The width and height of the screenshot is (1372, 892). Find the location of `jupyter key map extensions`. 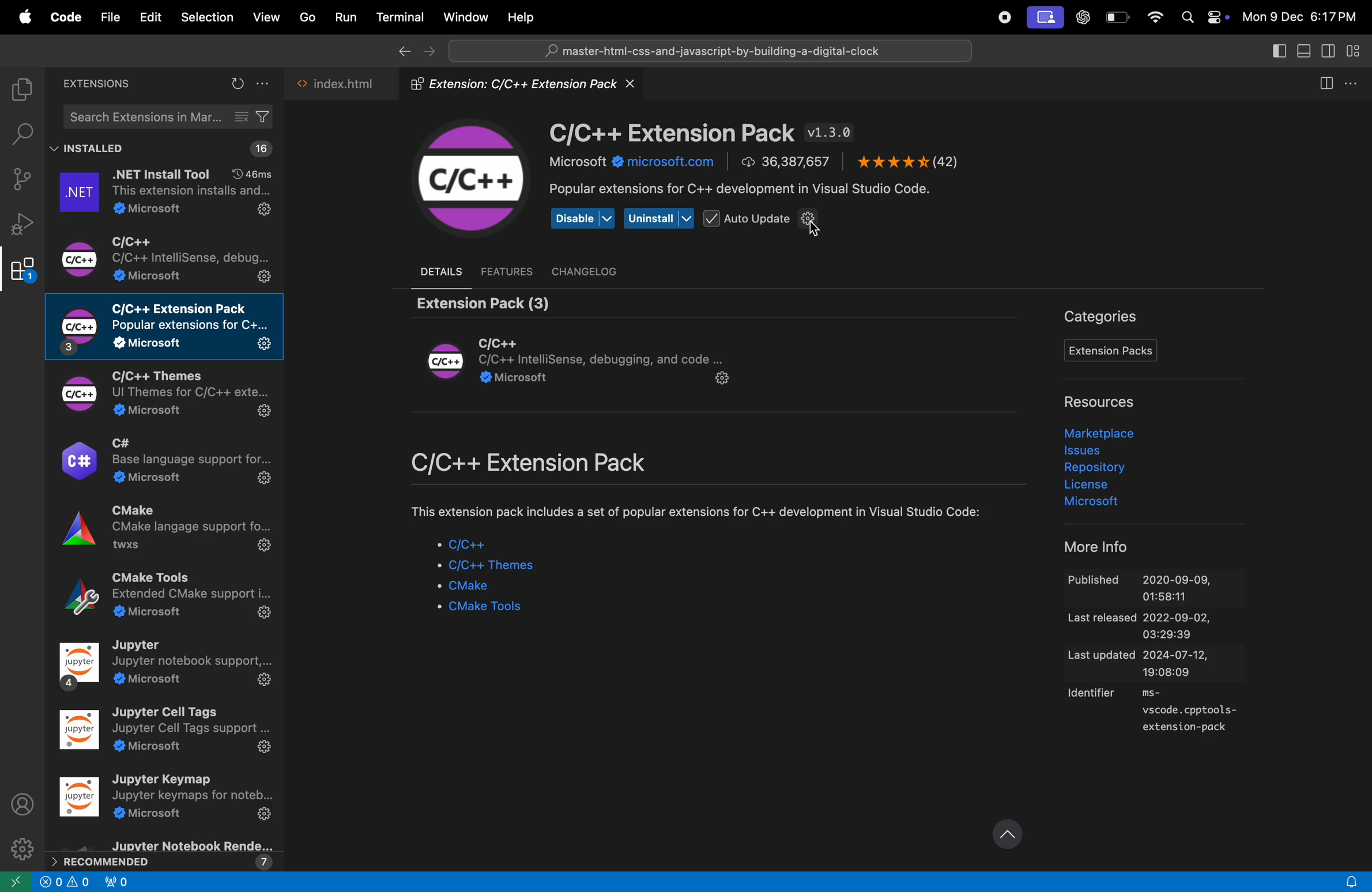

jupyter key map extensions is located at coordinates (167, 799).